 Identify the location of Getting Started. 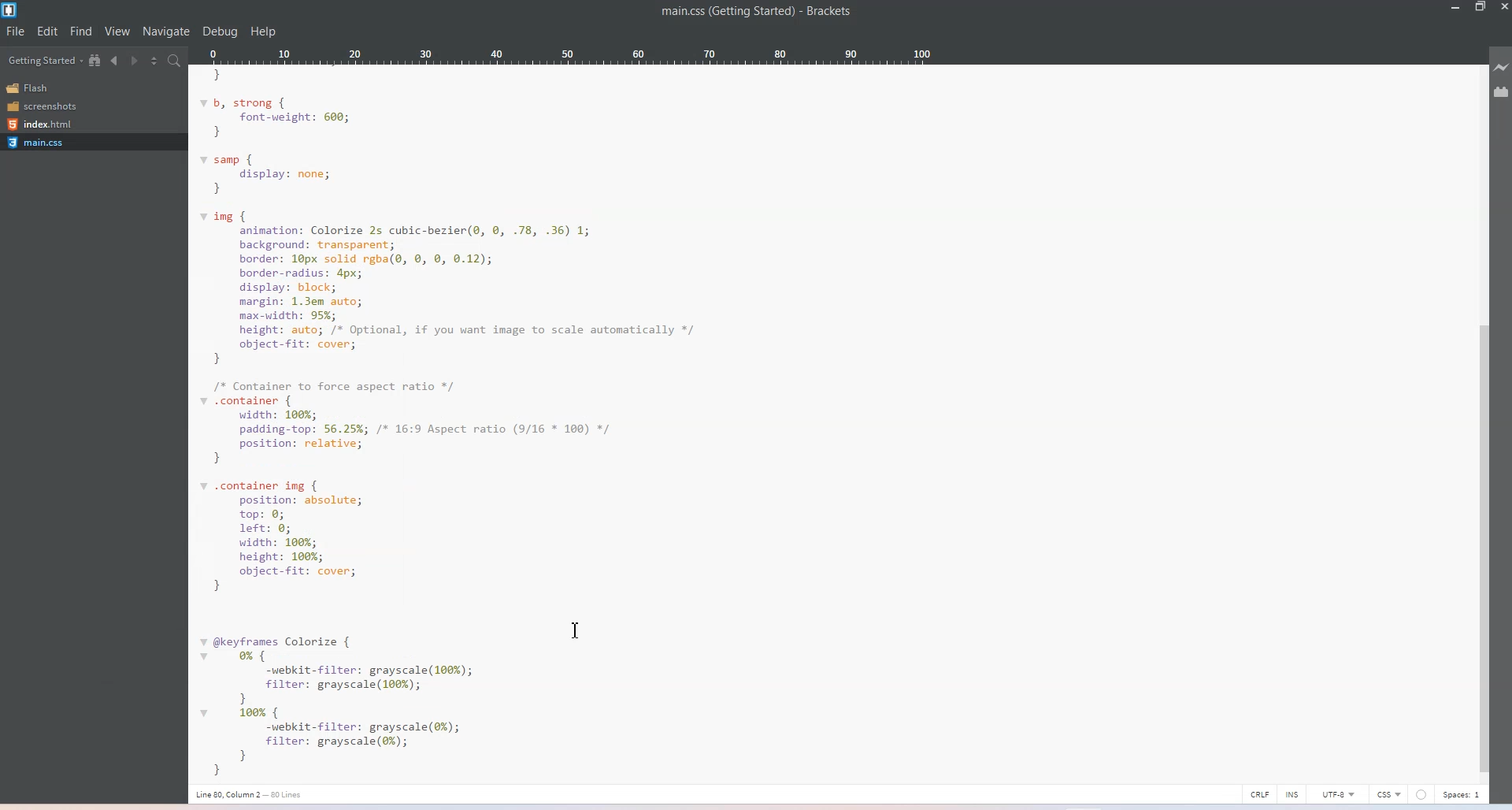
(44, 61).